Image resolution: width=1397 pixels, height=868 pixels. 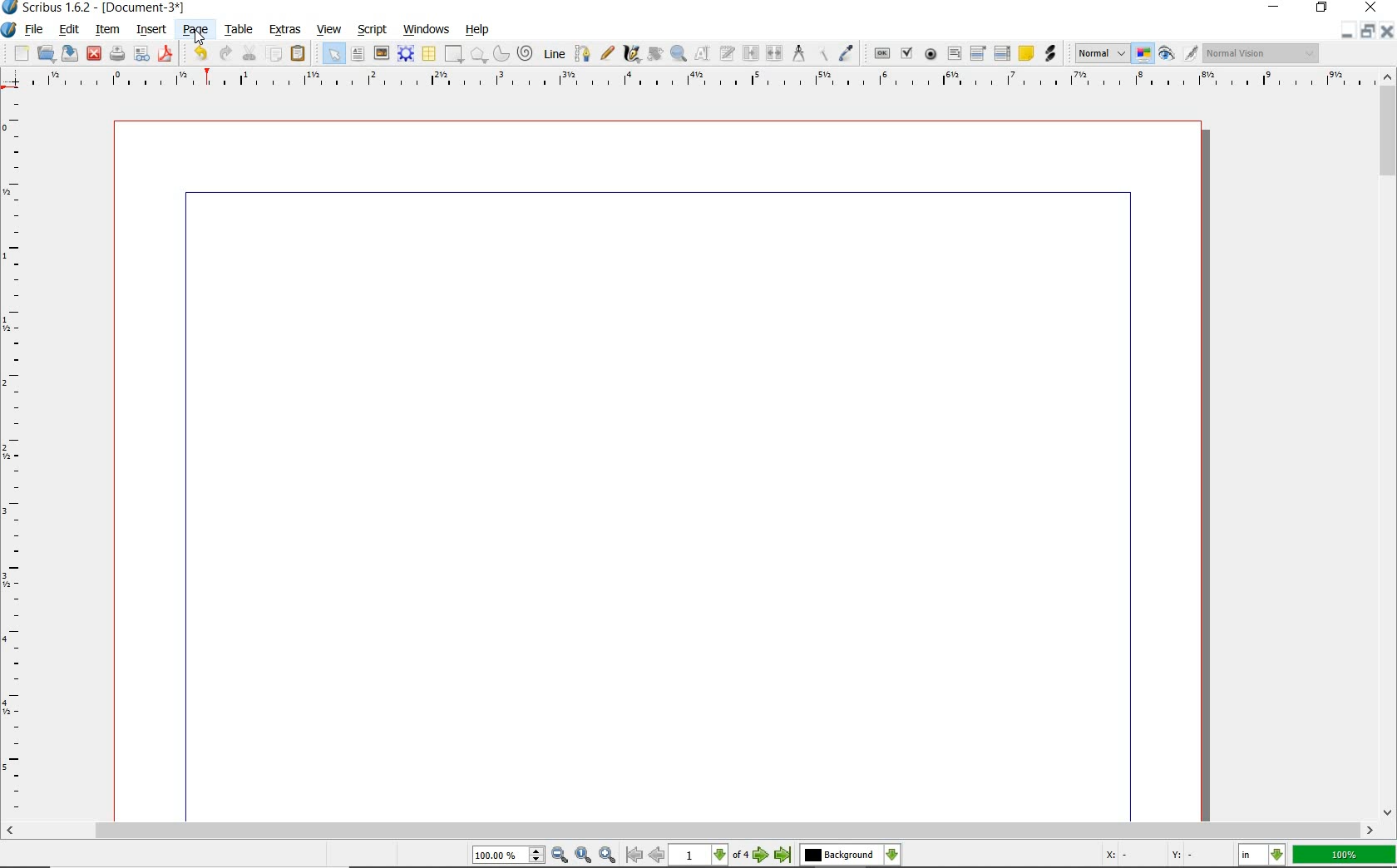 What do you see at coordinates (553, 53) in the screenshot?
I see `line` at bounding box center [553, 53].